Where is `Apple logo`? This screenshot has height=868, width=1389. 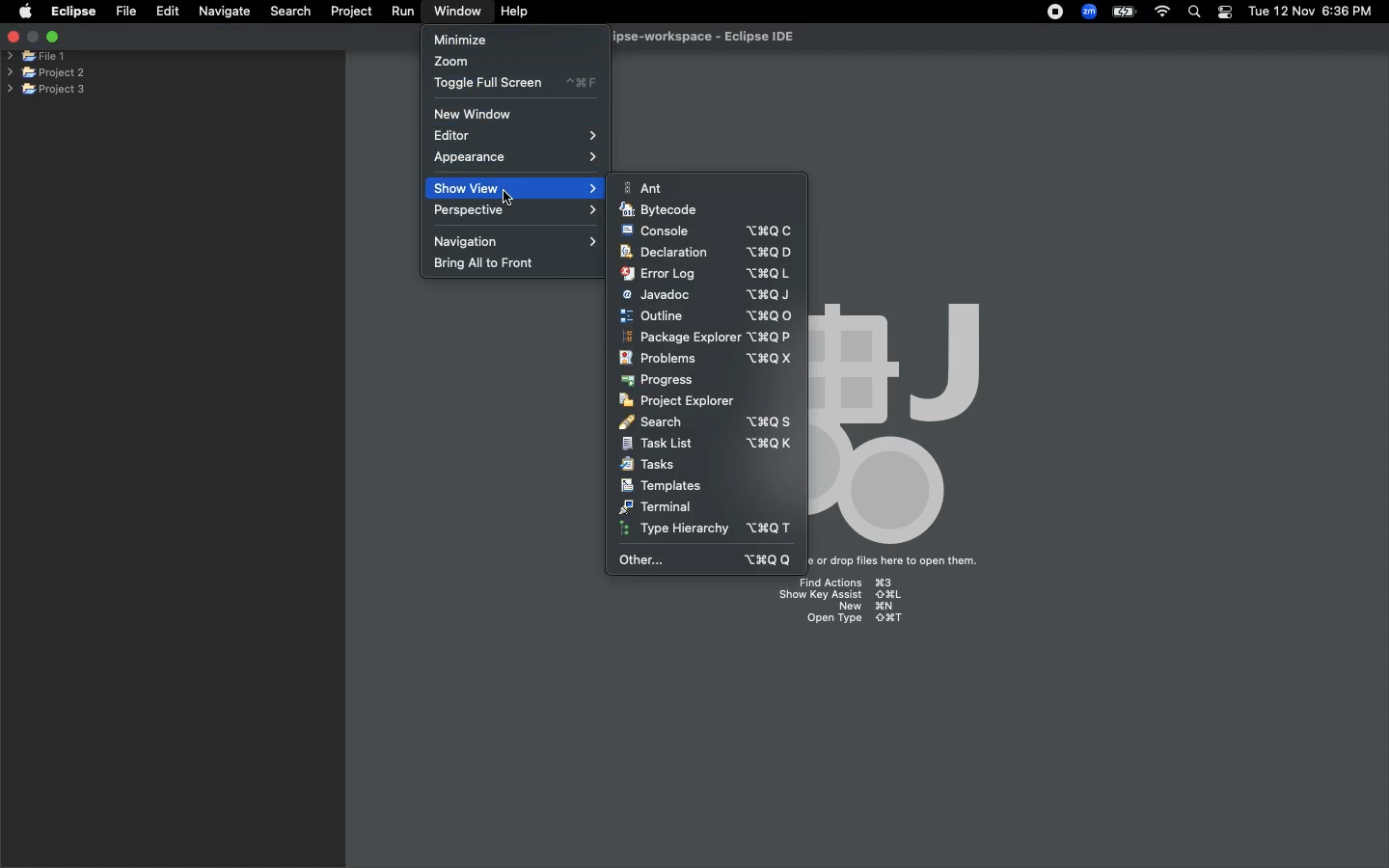 Apple logo is located at coordinates (25, 11).